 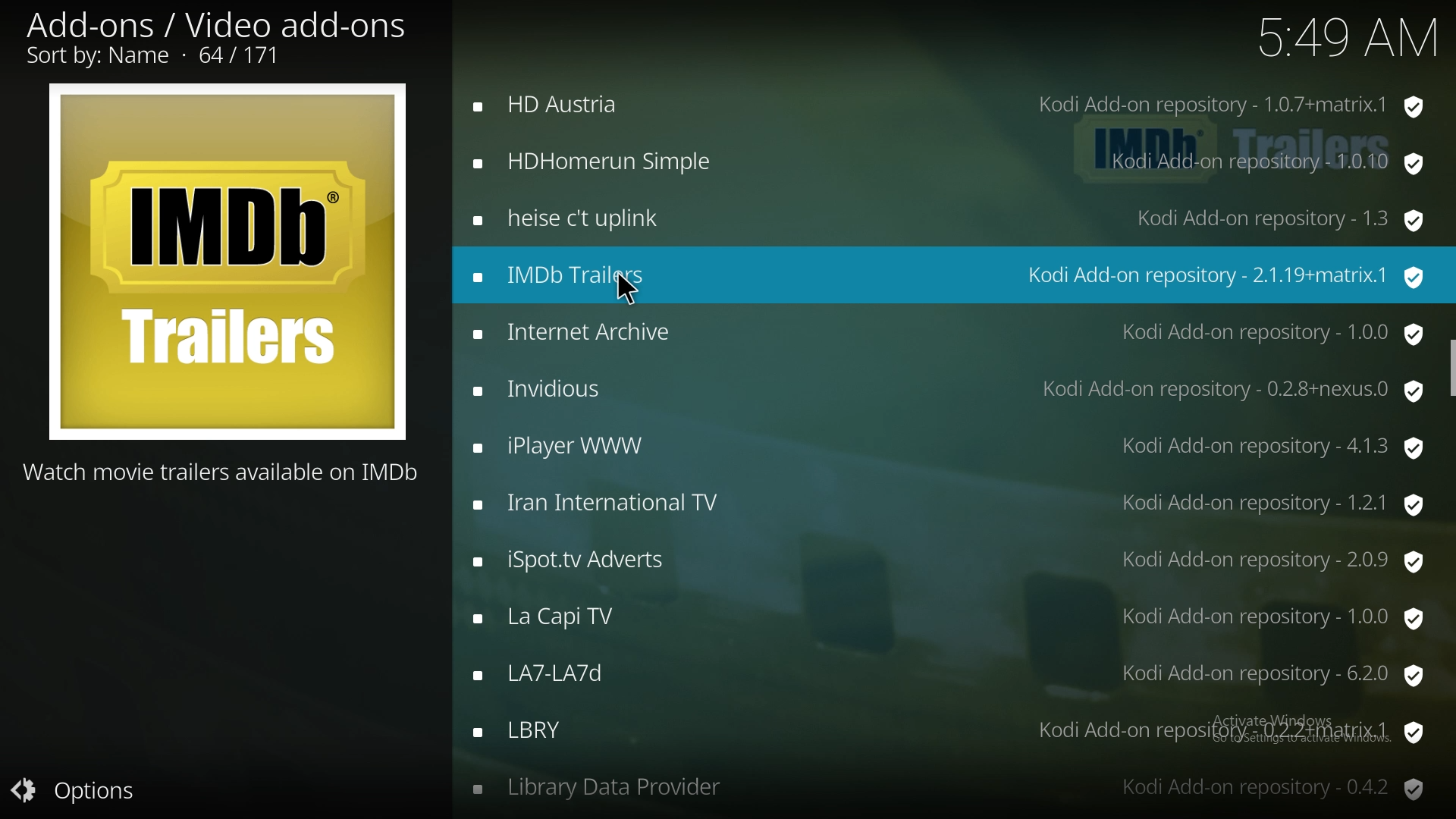 What do you see at coordinates (948, 504) in the screenshot?
I see `add on` at bounding box center [948, 504].